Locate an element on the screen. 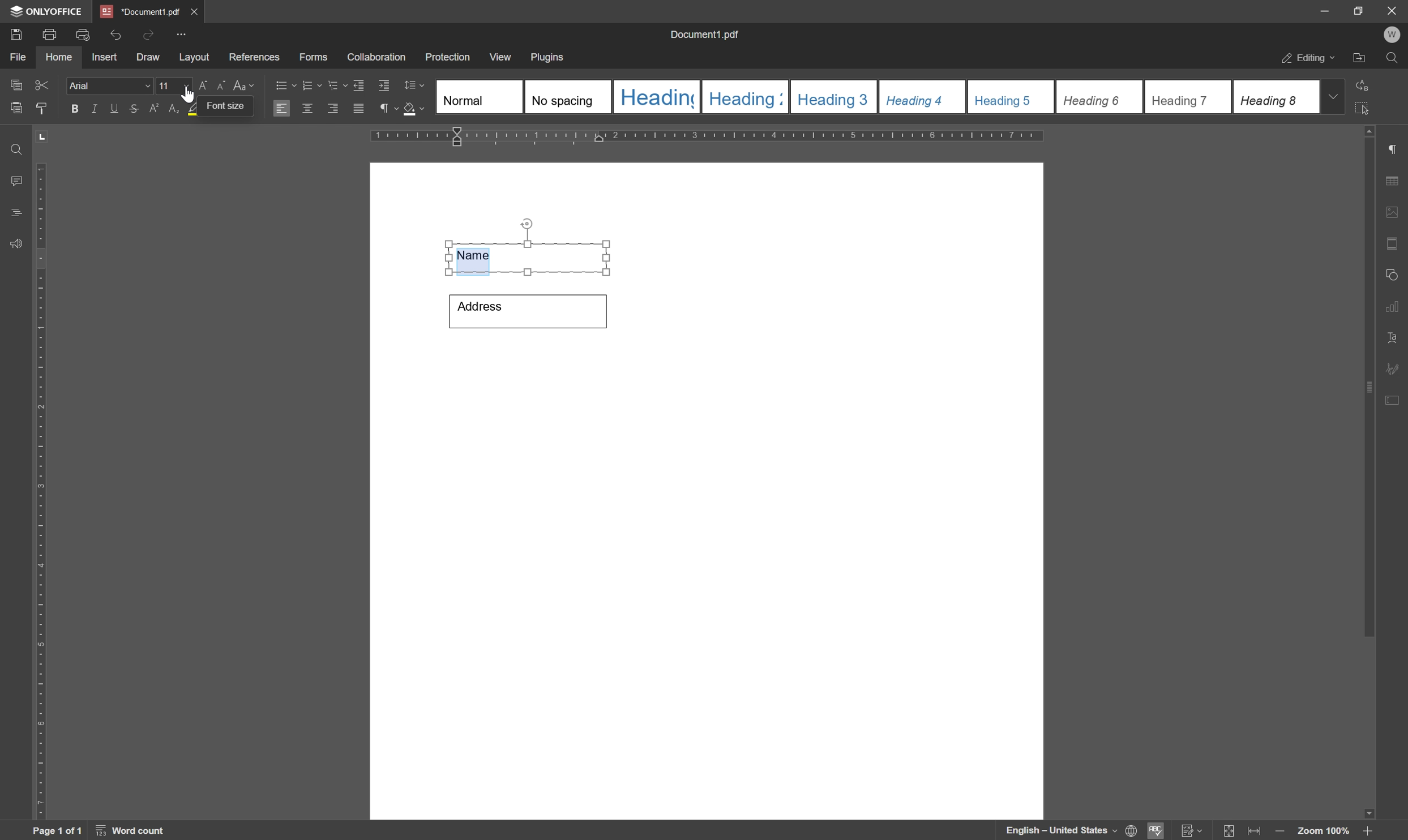  ruler is located at coordinates (712, 137).